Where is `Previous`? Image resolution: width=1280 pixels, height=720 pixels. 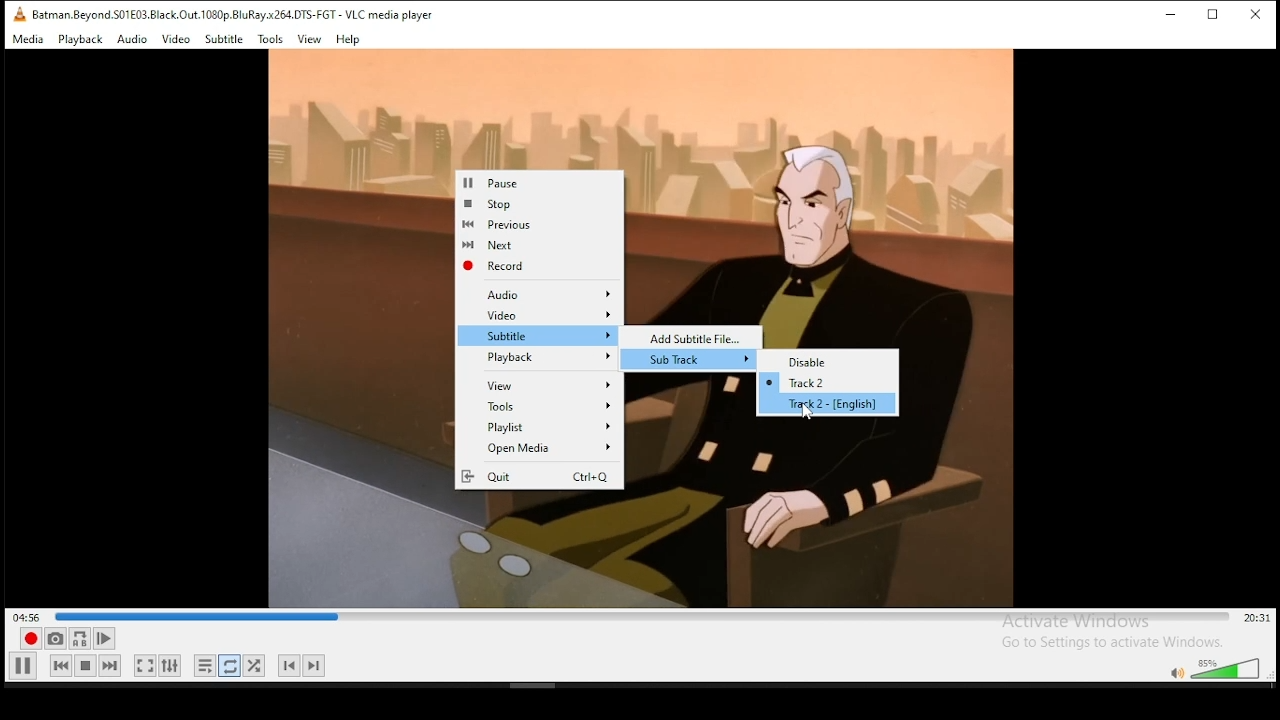 Previous is located at coordinates (535, 224).